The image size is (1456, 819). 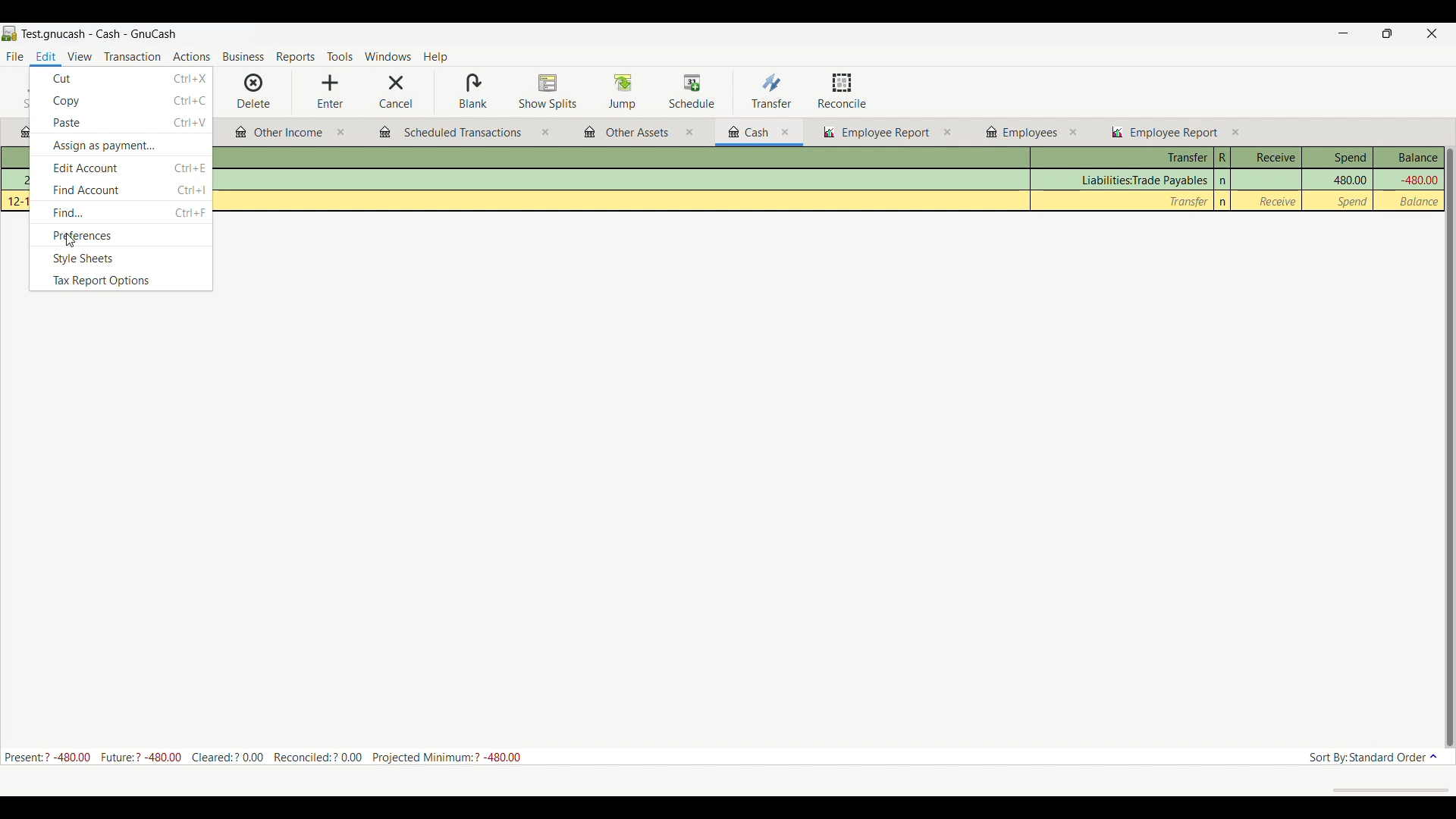 I want to click on Receive column, so click(x=1266, y=158).